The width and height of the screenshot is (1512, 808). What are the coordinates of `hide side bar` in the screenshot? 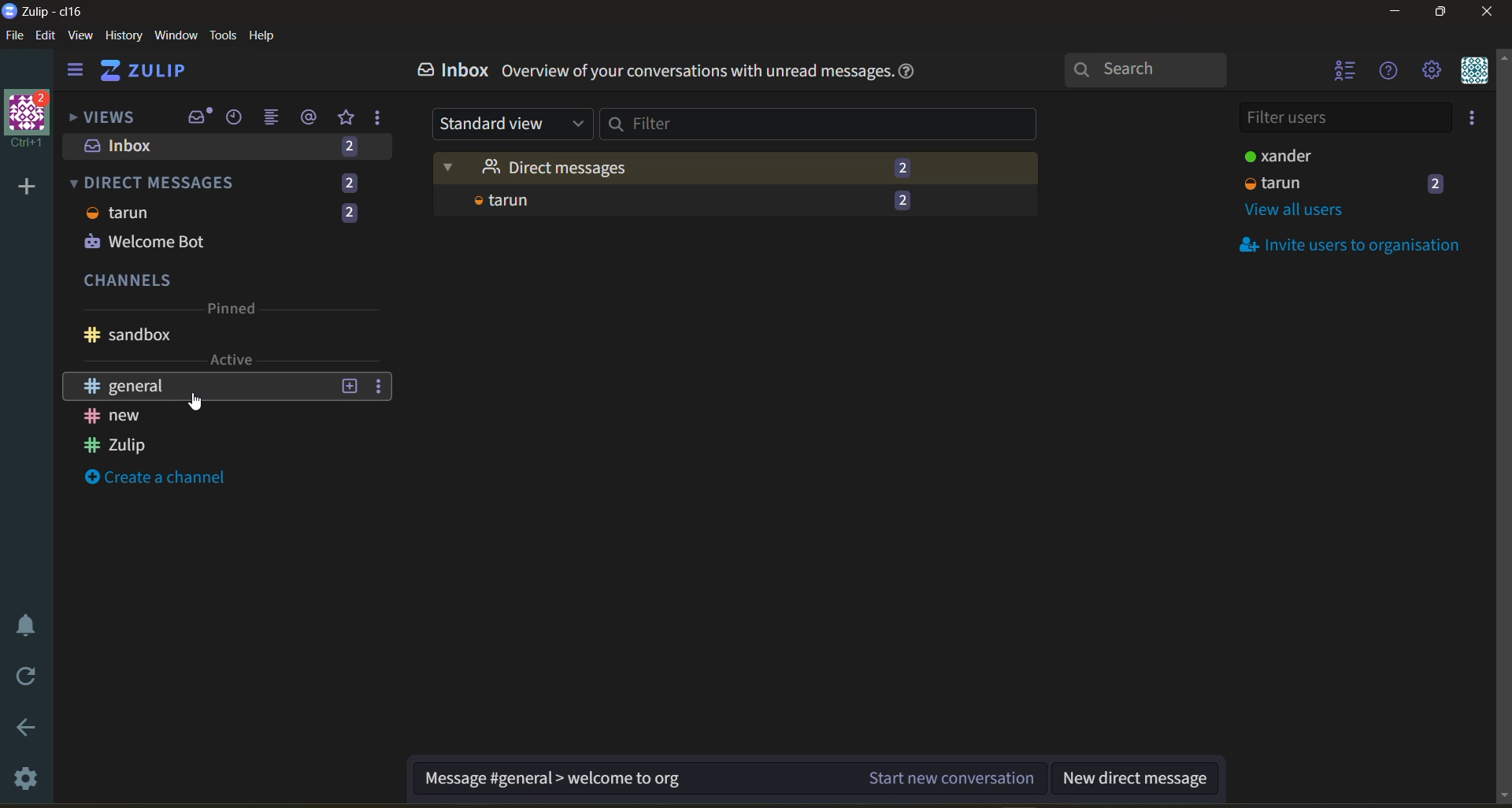 It's located at (75, 73).